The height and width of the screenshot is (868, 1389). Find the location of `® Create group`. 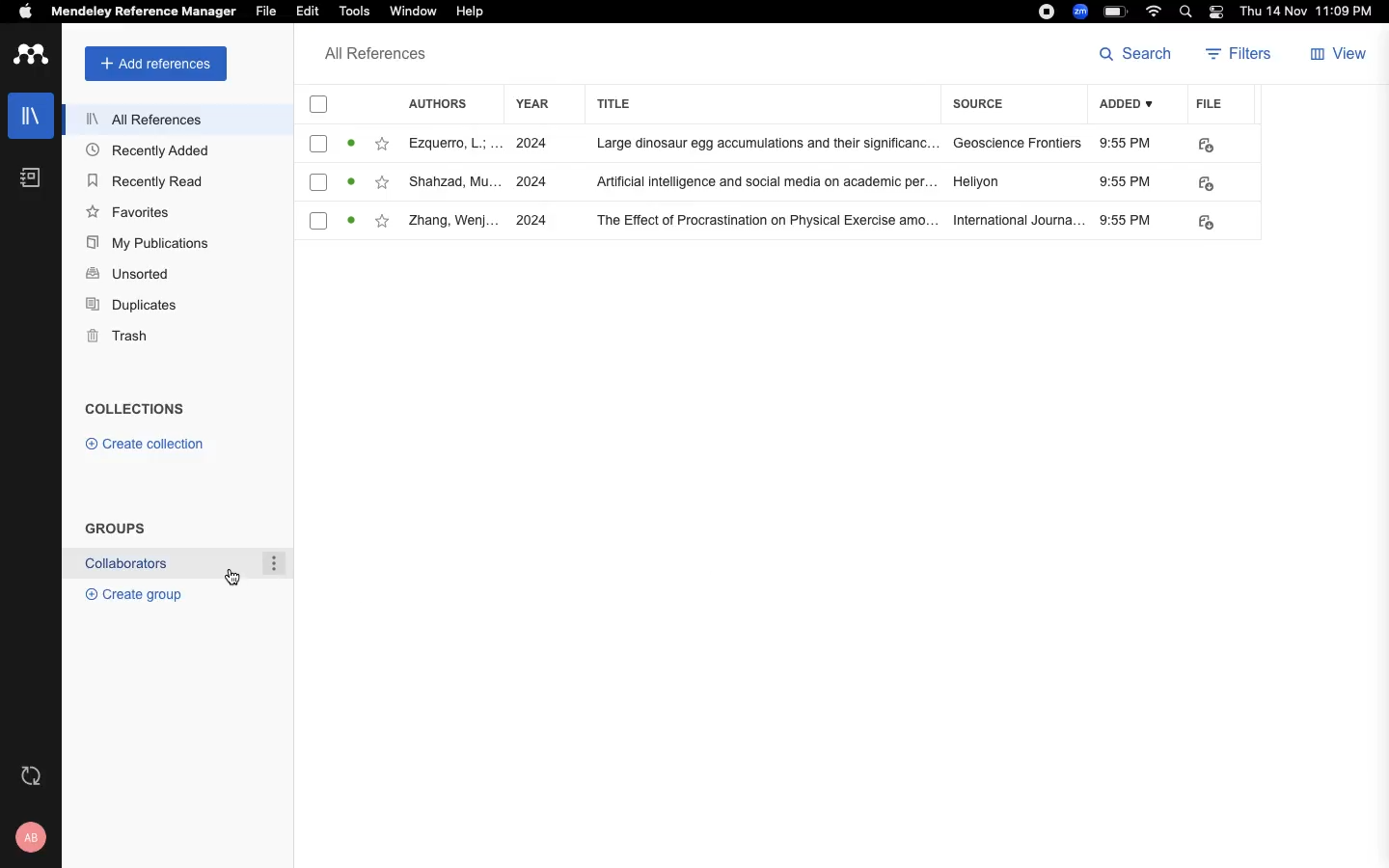

® Create group is located at coordinates (130, 593).